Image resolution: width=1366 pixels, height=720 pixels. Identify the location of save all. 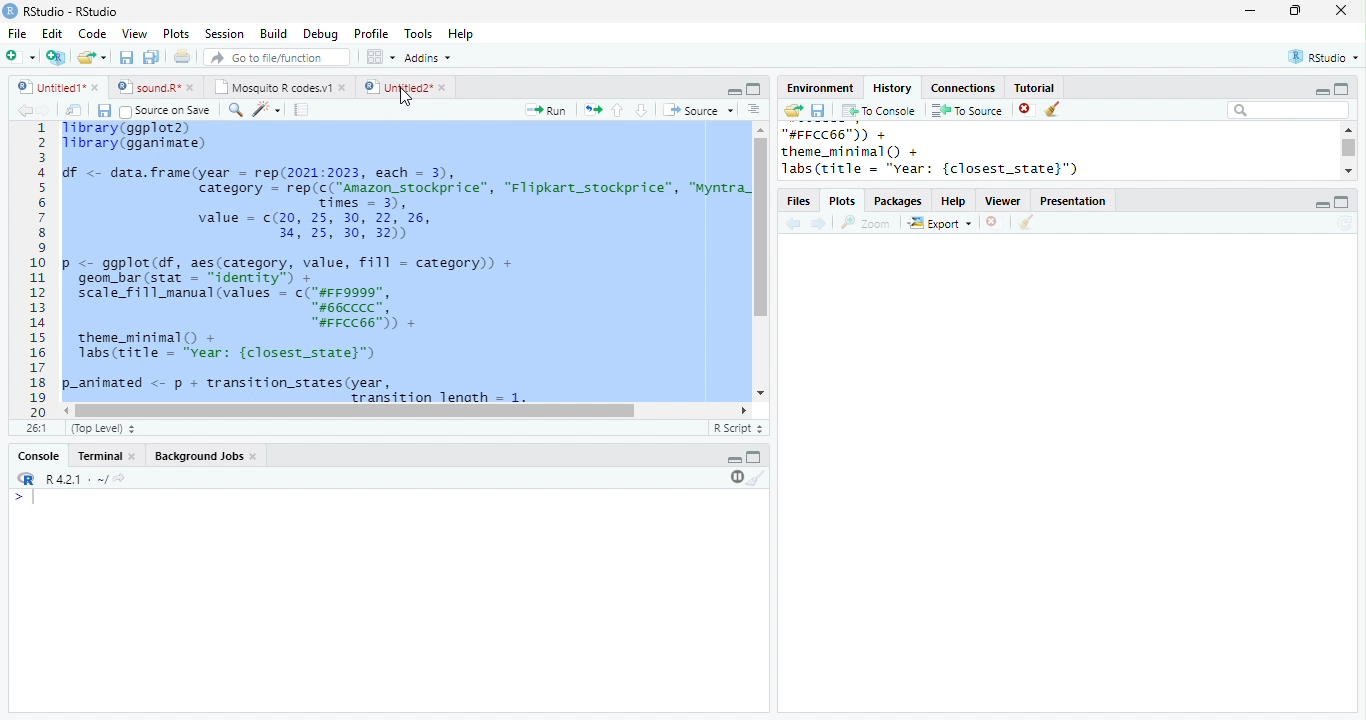
(151, 58).